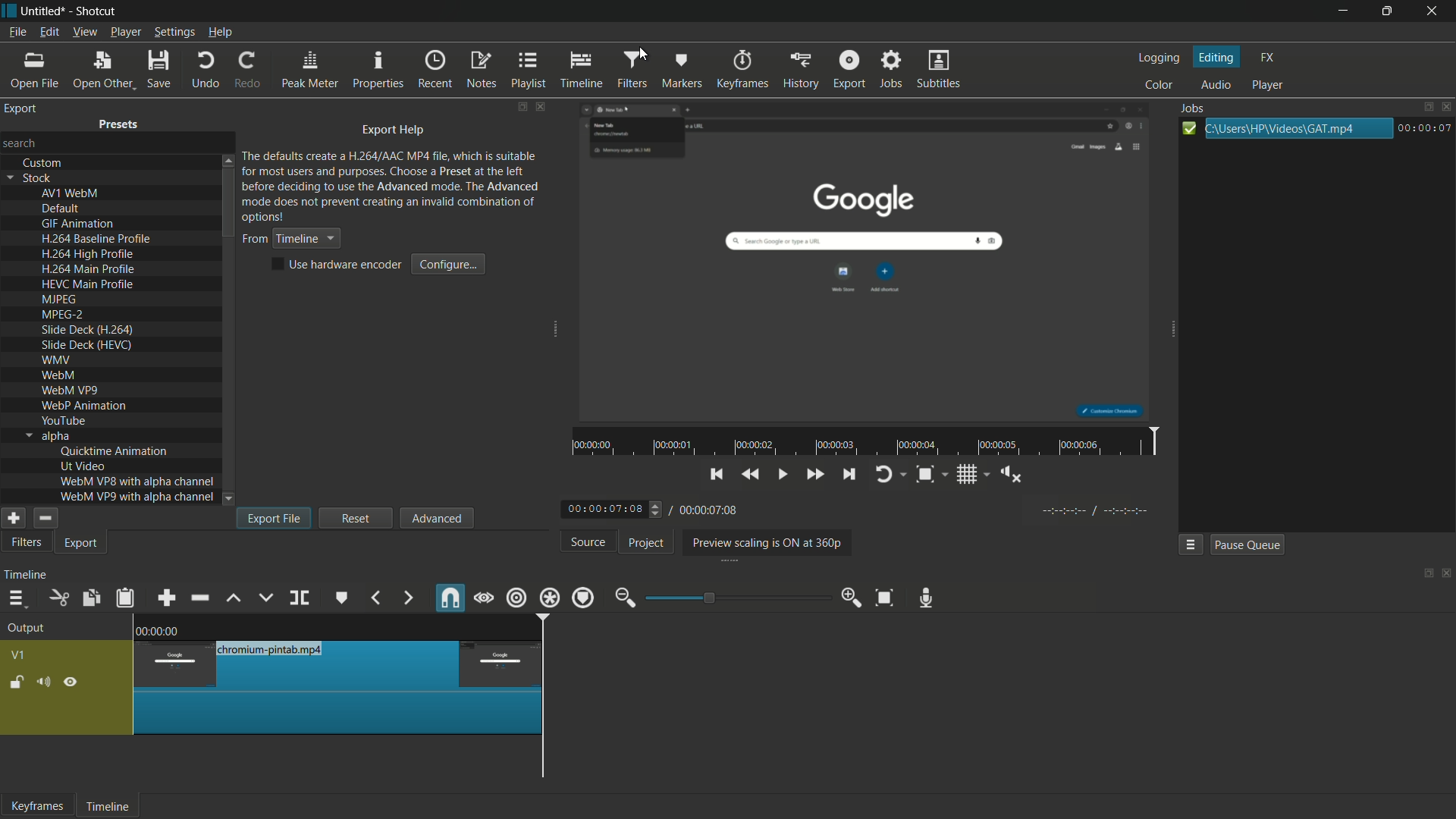  What do you see at coordinates (290, 240) in the screenshot?
I see `Timeline` at bounding box center [290, 240].